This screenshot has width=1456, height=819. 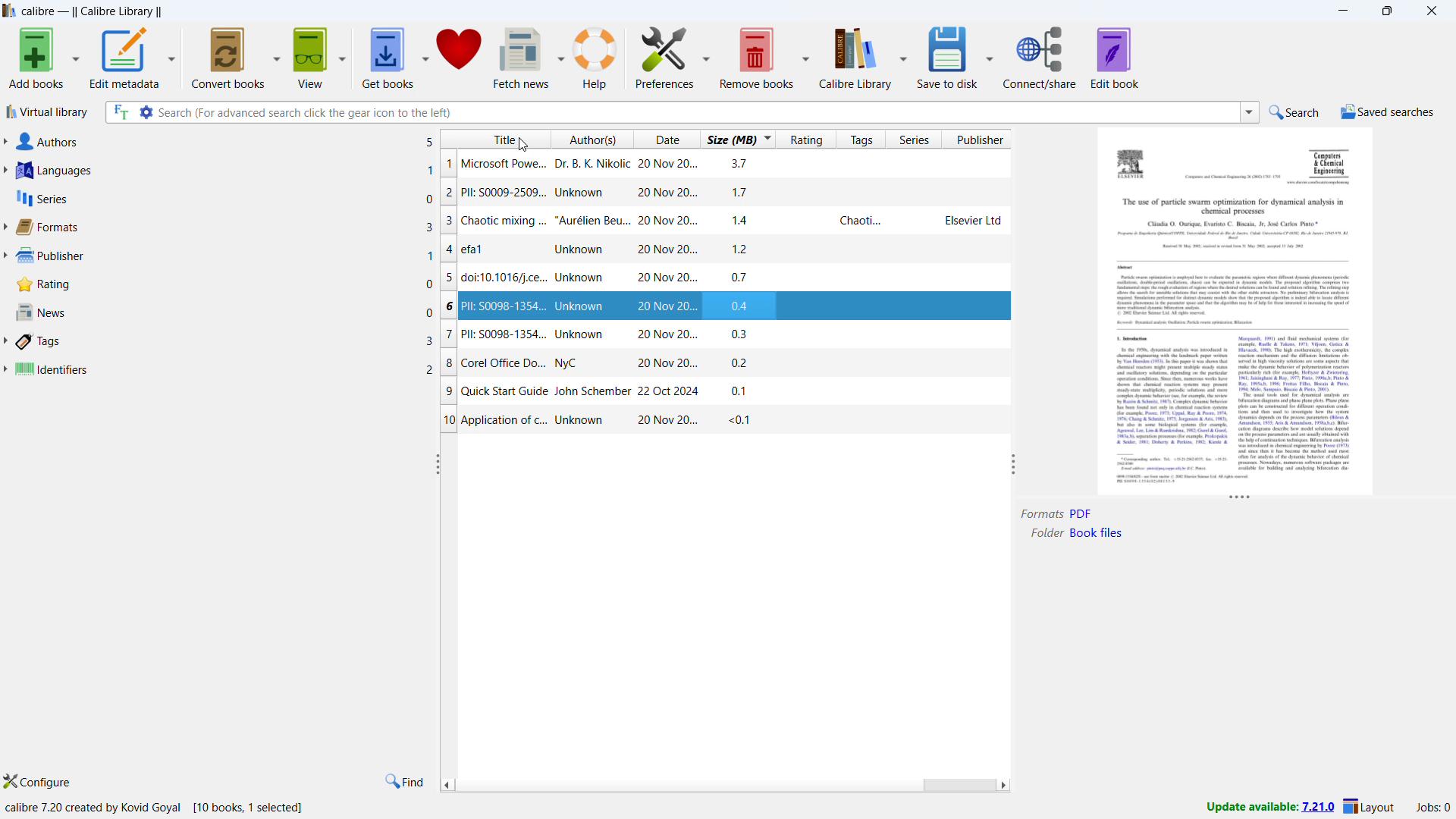 I want to click on edit book, so click(x=1116, y=58).